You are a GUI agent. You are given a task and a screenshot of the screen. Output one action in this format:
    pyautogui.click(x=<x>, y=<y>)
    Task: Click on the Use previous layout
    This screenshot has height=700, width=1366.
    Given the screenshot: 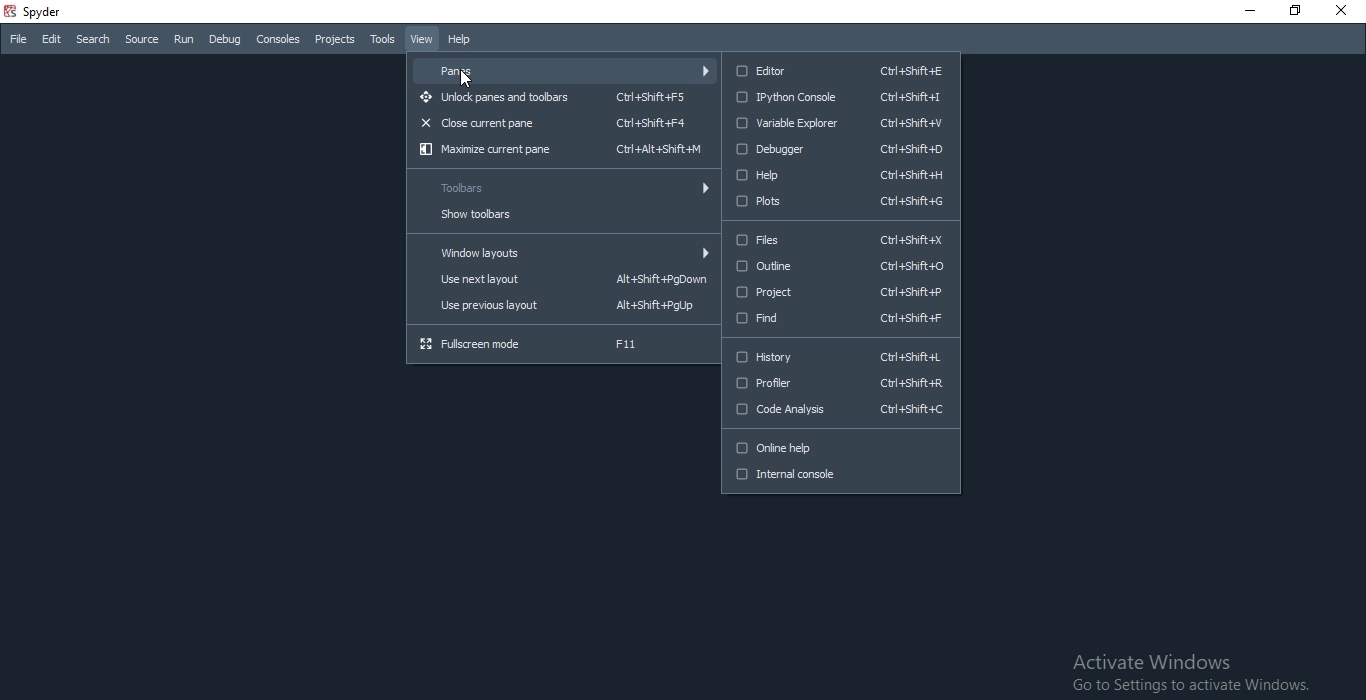 What is the action you would take?
    pyautogui.click(x=559, y=308)
    